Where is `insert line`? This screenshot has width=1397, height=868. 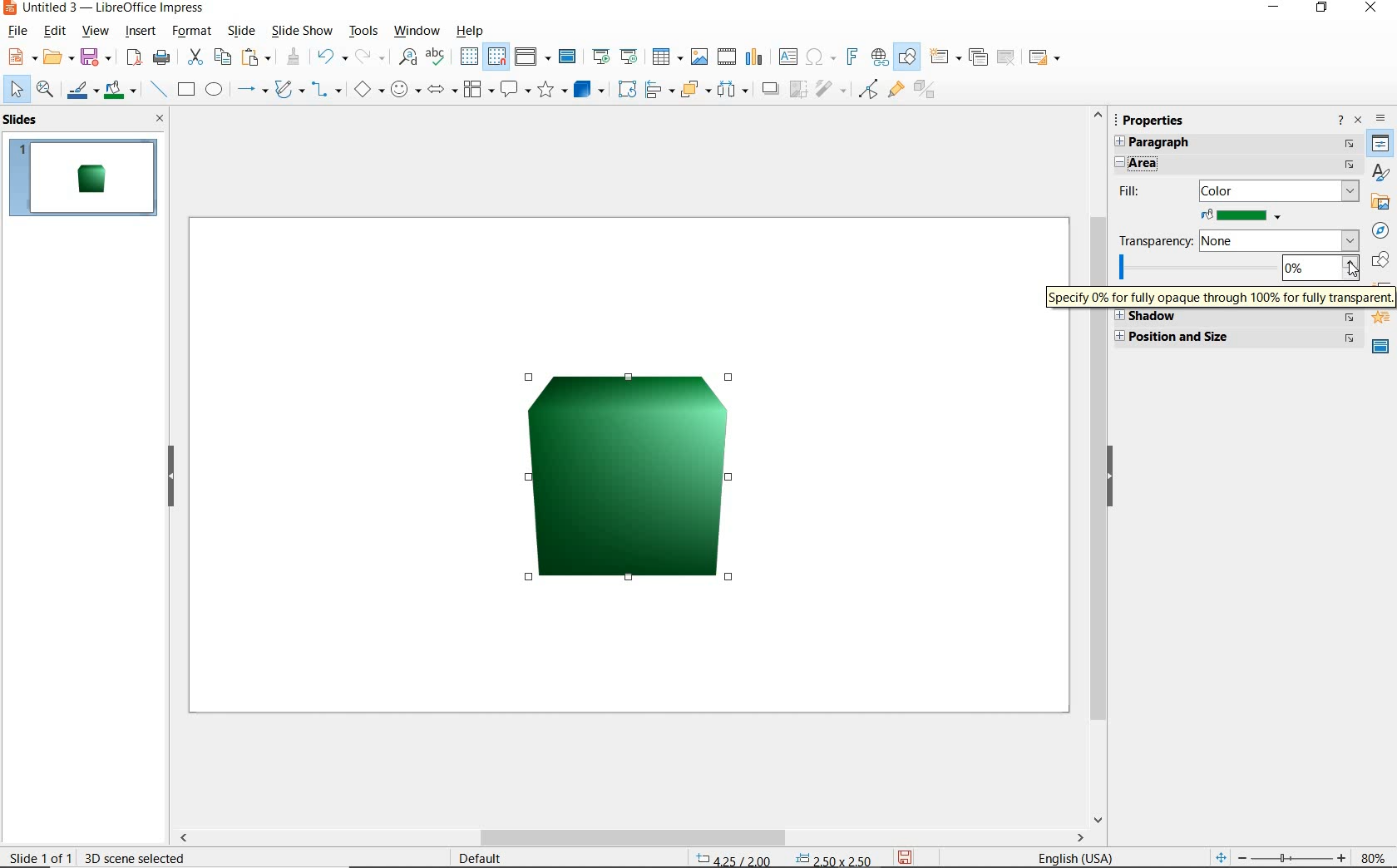
insert line is located at coordinates (157, 89).